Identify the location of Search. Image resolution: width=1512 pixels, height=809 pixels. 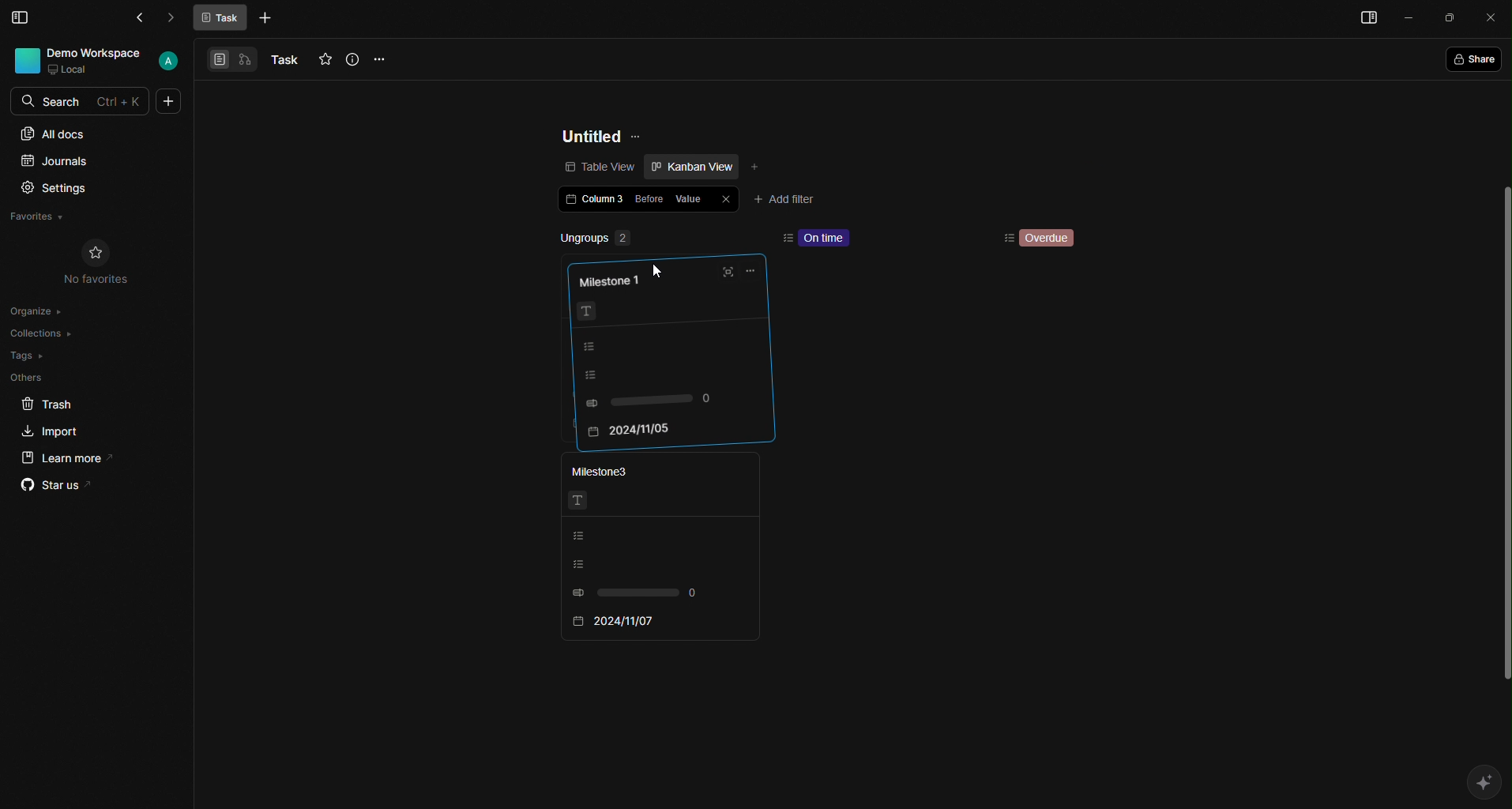
(81, 100).